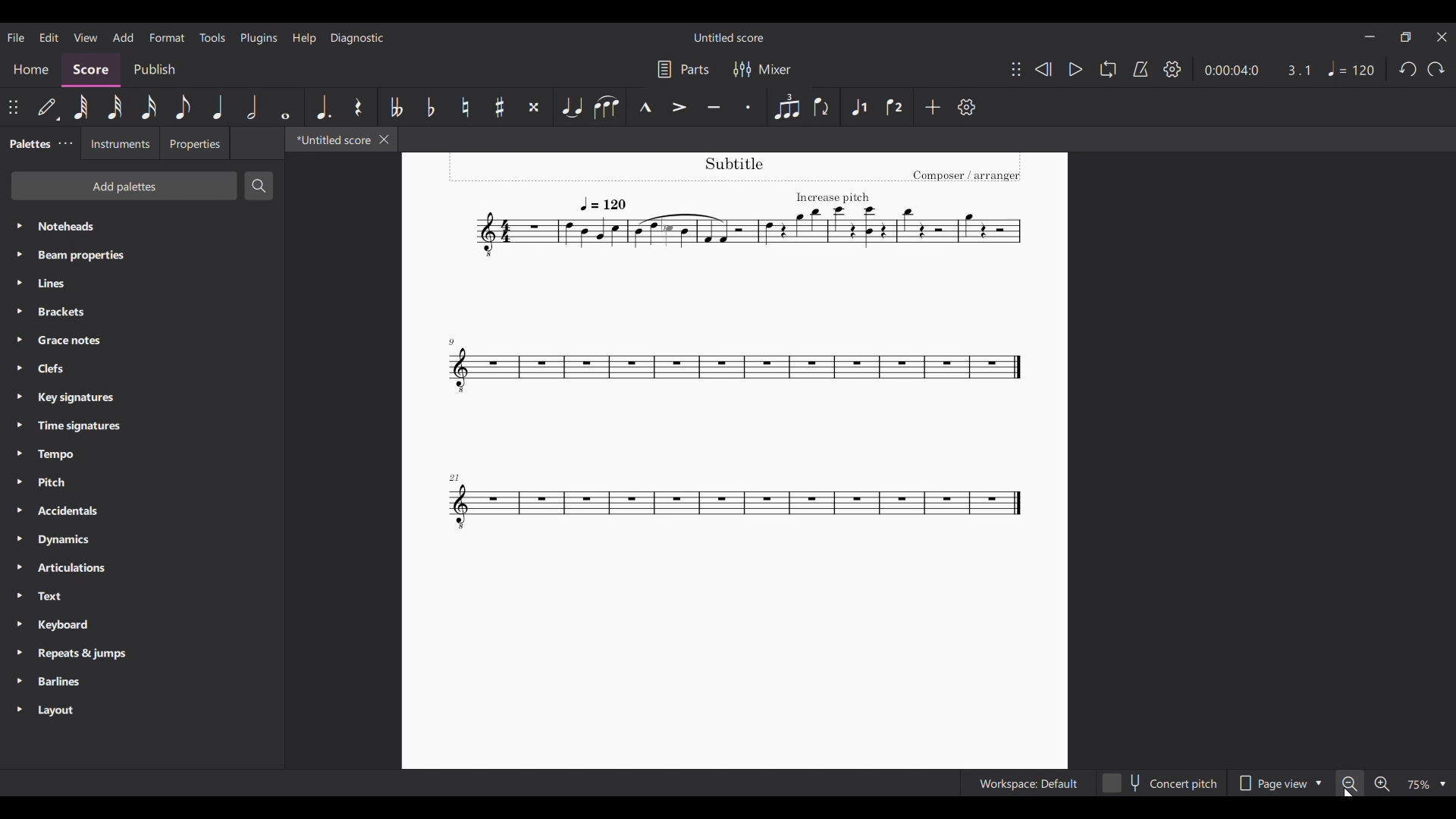  Describe the element at coordinates (142, 595) in the screenshot. I see `Text` at that location.